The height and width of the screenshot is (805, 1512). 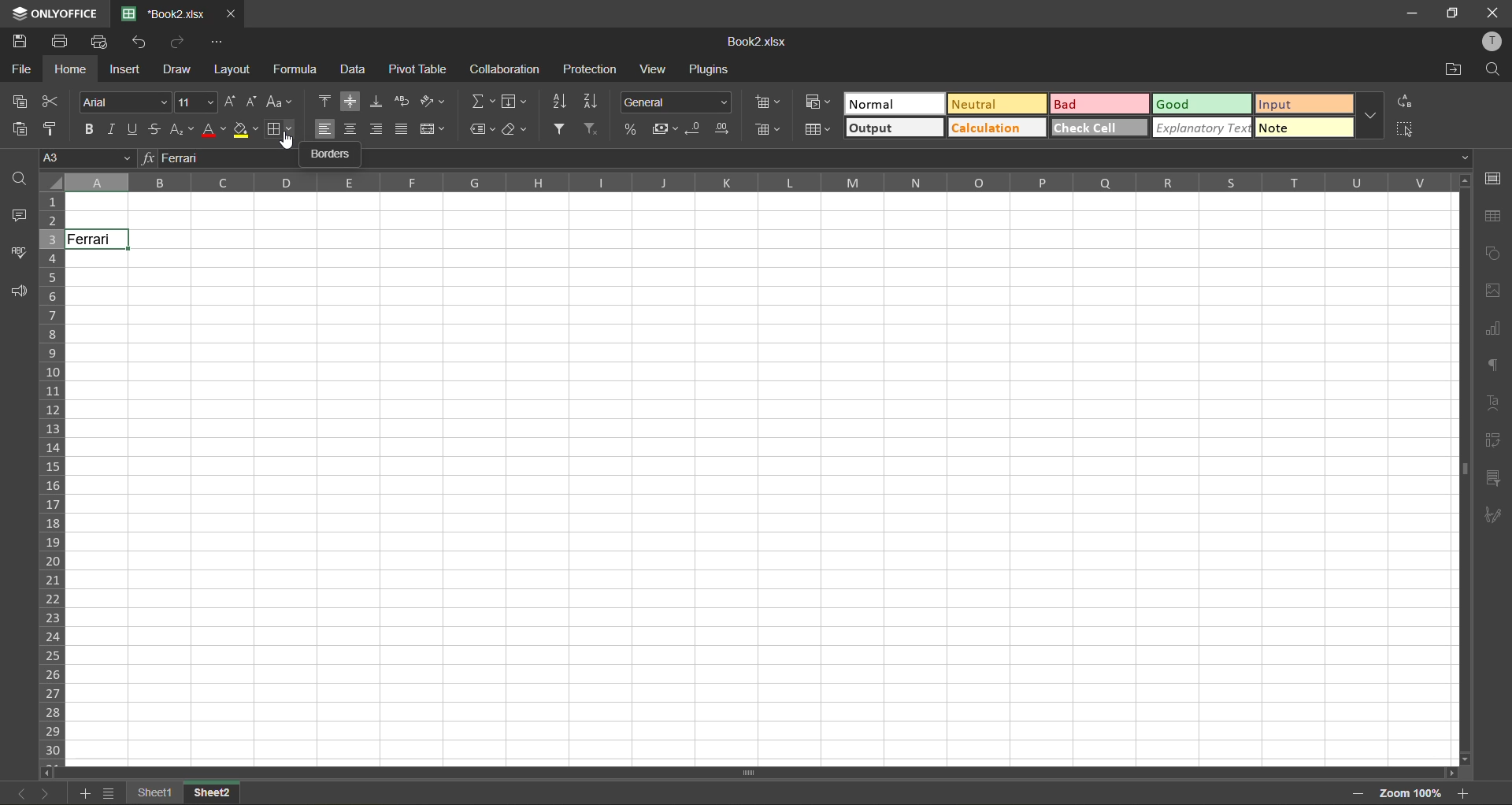 What do you see at coordinates (404, 102) in the screenshot?
I see `wrap` at bounding box center [404, 102].